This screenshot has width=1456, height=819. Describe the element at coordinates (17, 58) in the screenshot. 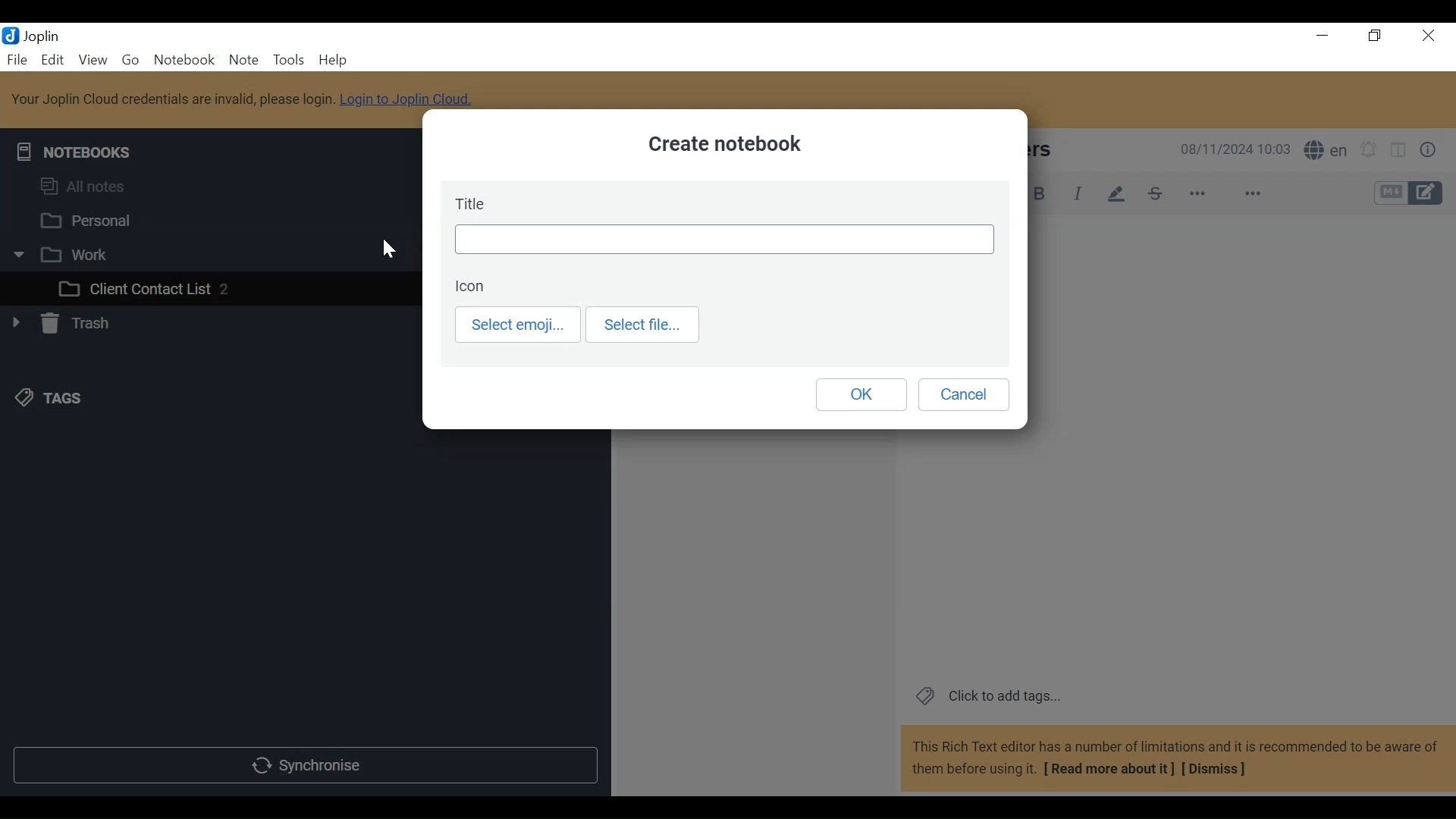

I see `File` at that location.